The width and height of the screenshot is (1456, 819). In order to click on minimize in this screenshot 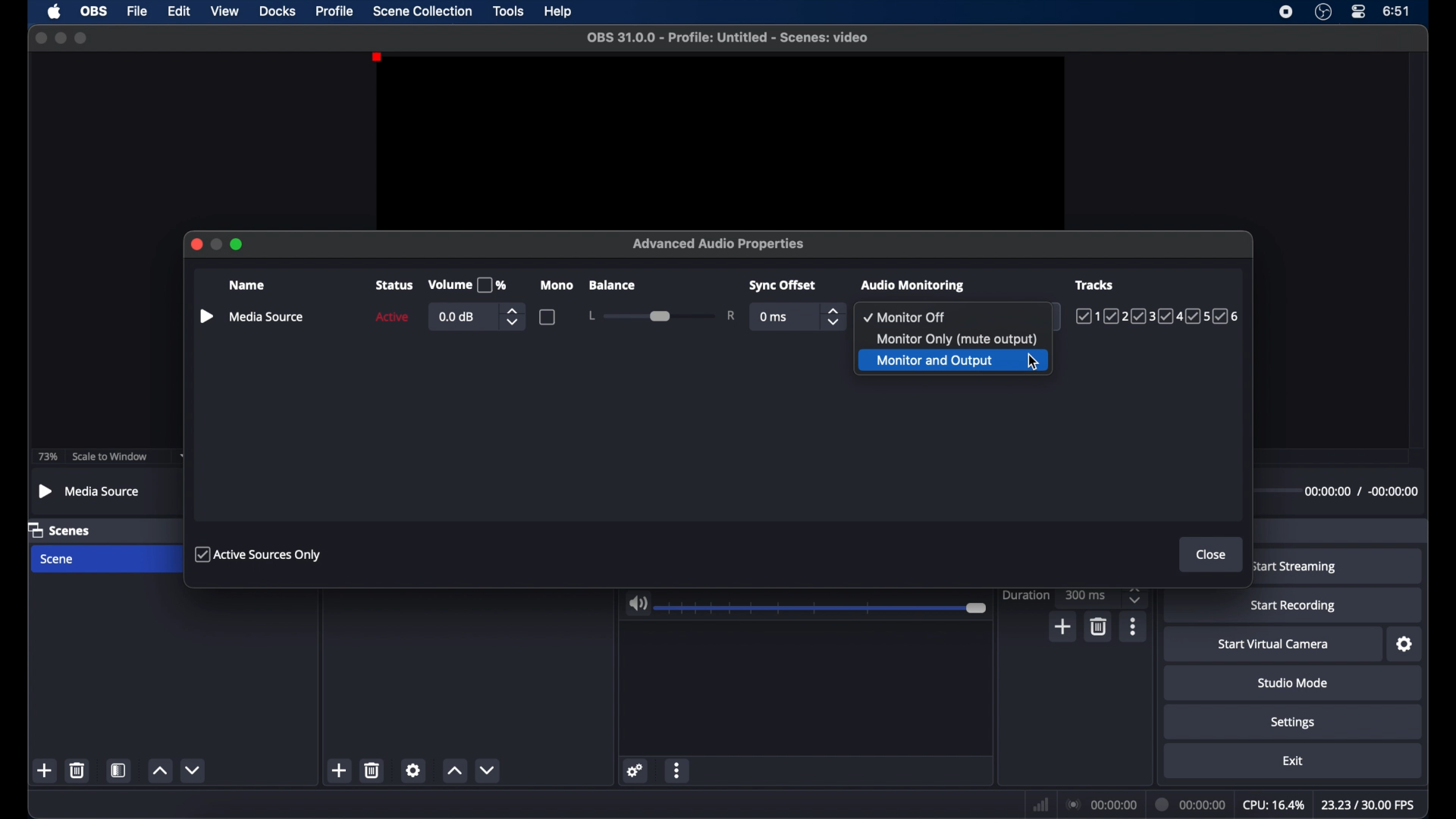, I will do `click(215, 245)`.